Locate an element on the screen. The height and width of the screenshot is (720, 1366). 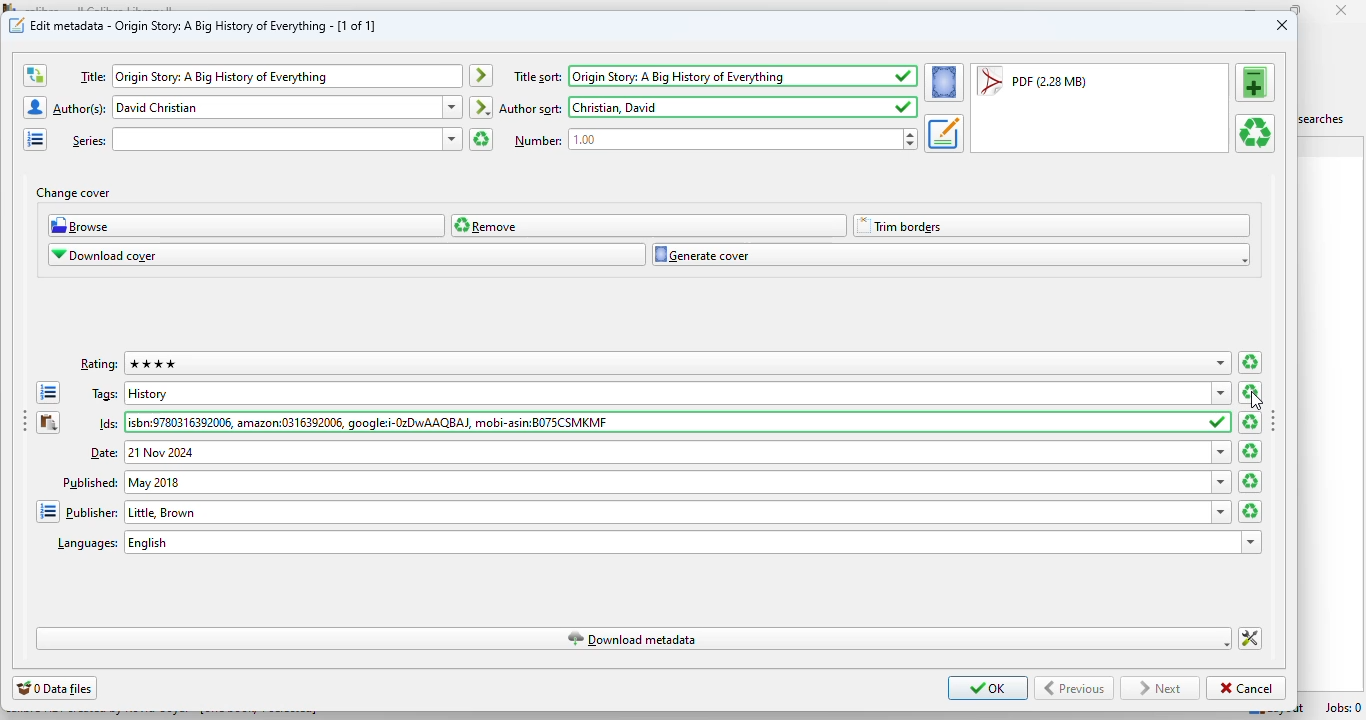
open the manage series editor is located at coordinates (36, 139).